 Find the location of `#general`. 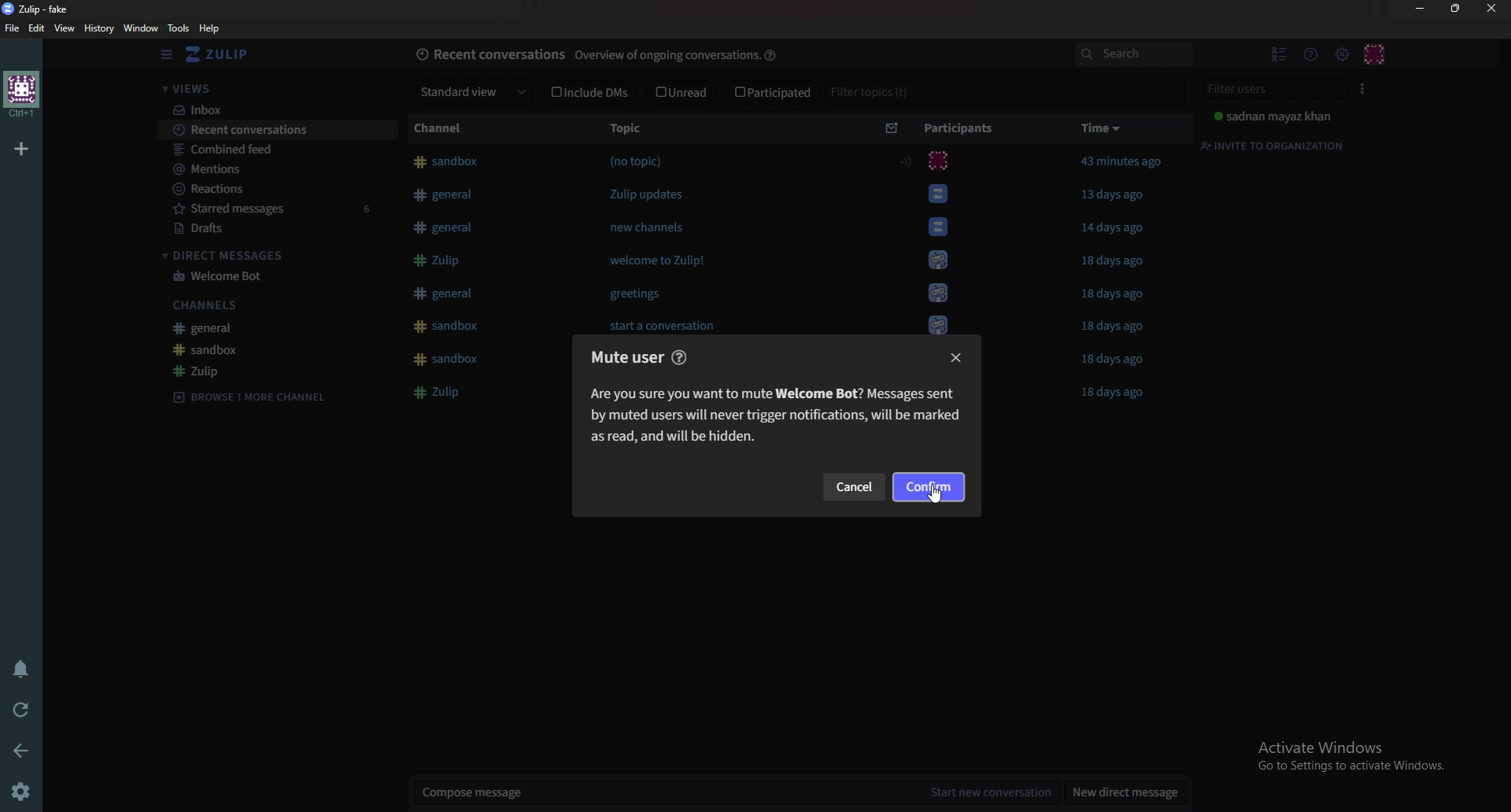

#general is located at coordinates (443, 227).